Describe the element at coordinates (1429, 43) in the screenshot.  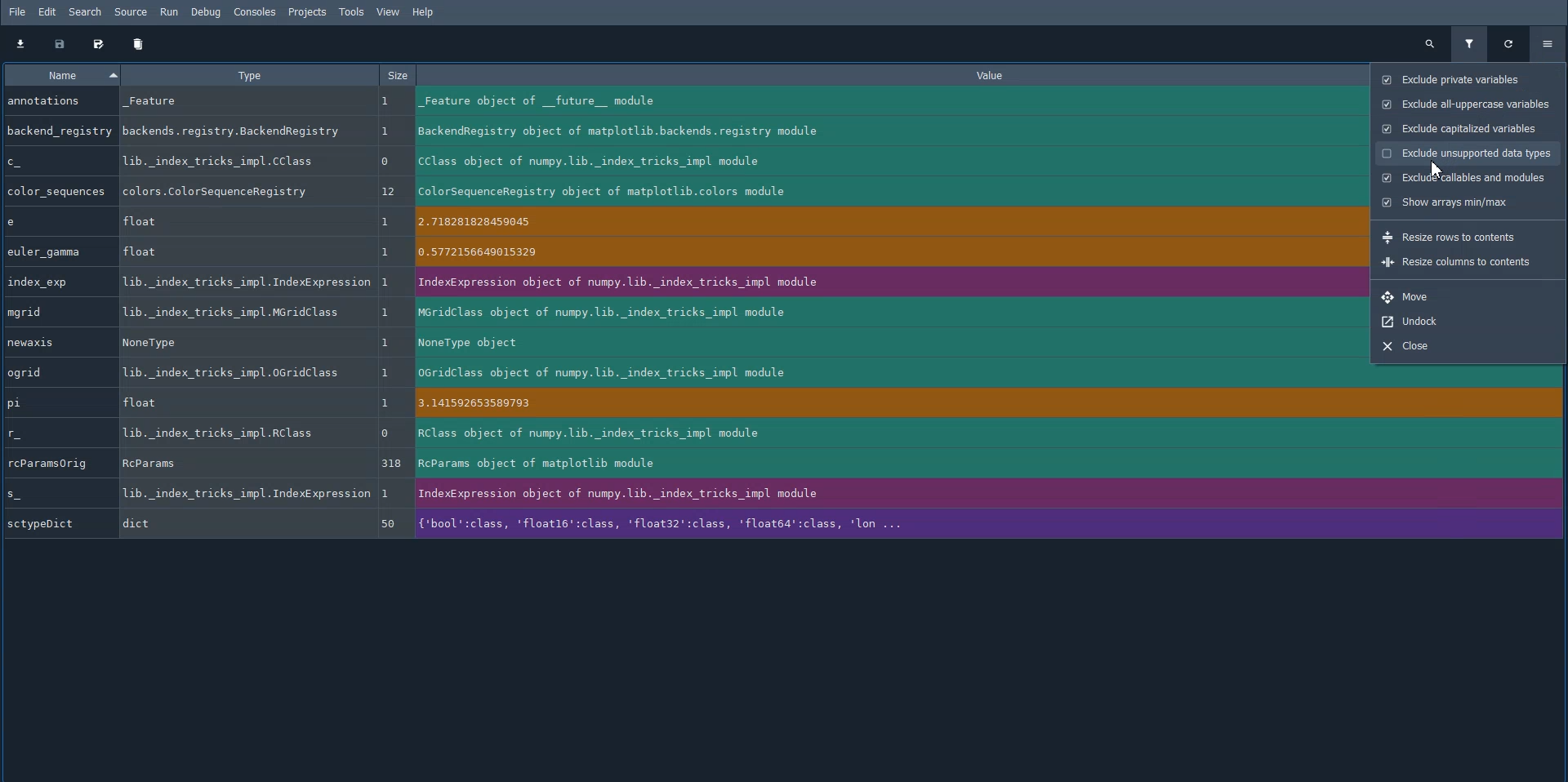
I see `Search Variables` at that location.